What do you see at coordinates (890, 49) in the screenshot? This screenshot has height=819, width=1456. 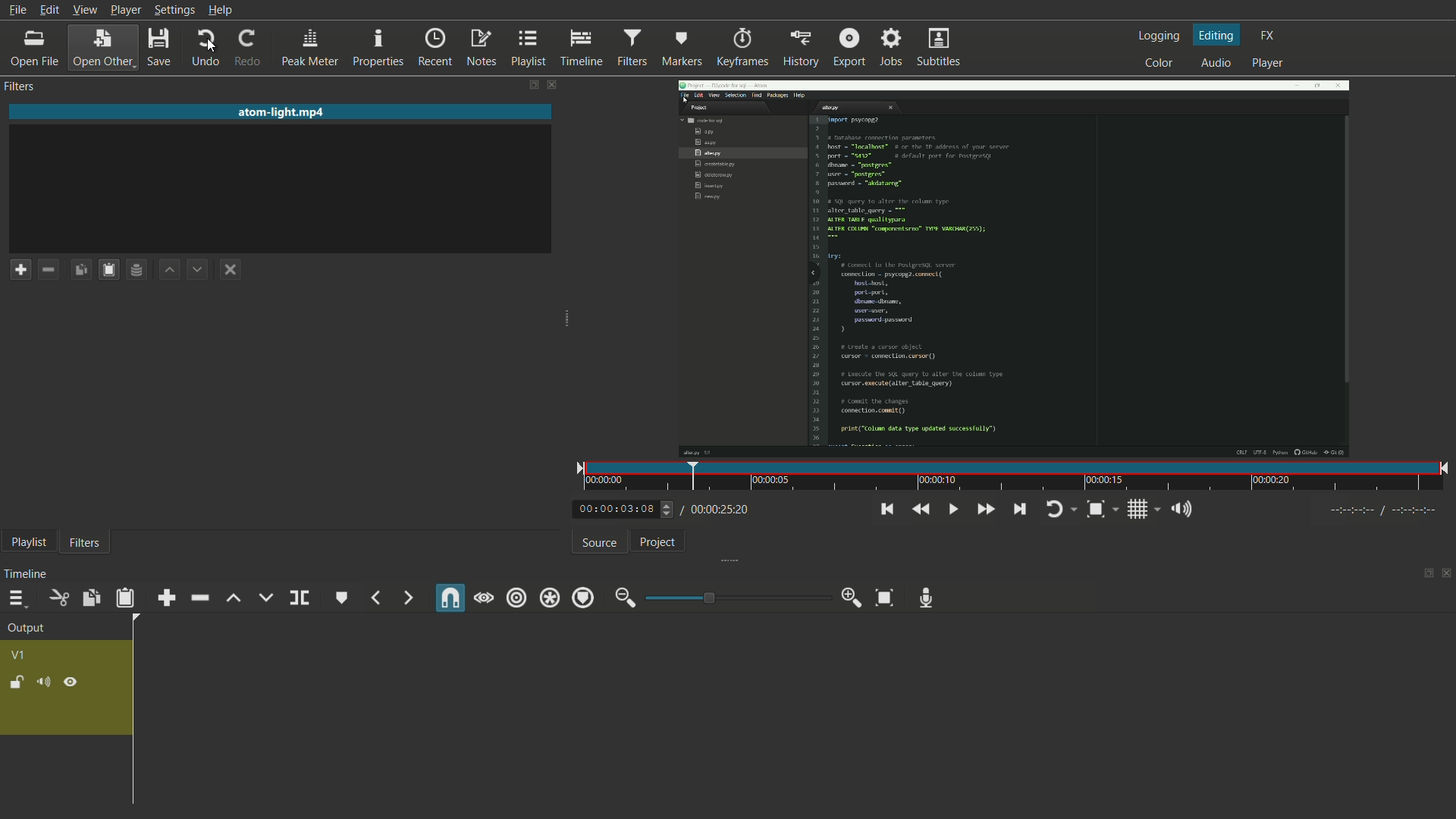 I see `jobs` at bounding box center [890, 49].